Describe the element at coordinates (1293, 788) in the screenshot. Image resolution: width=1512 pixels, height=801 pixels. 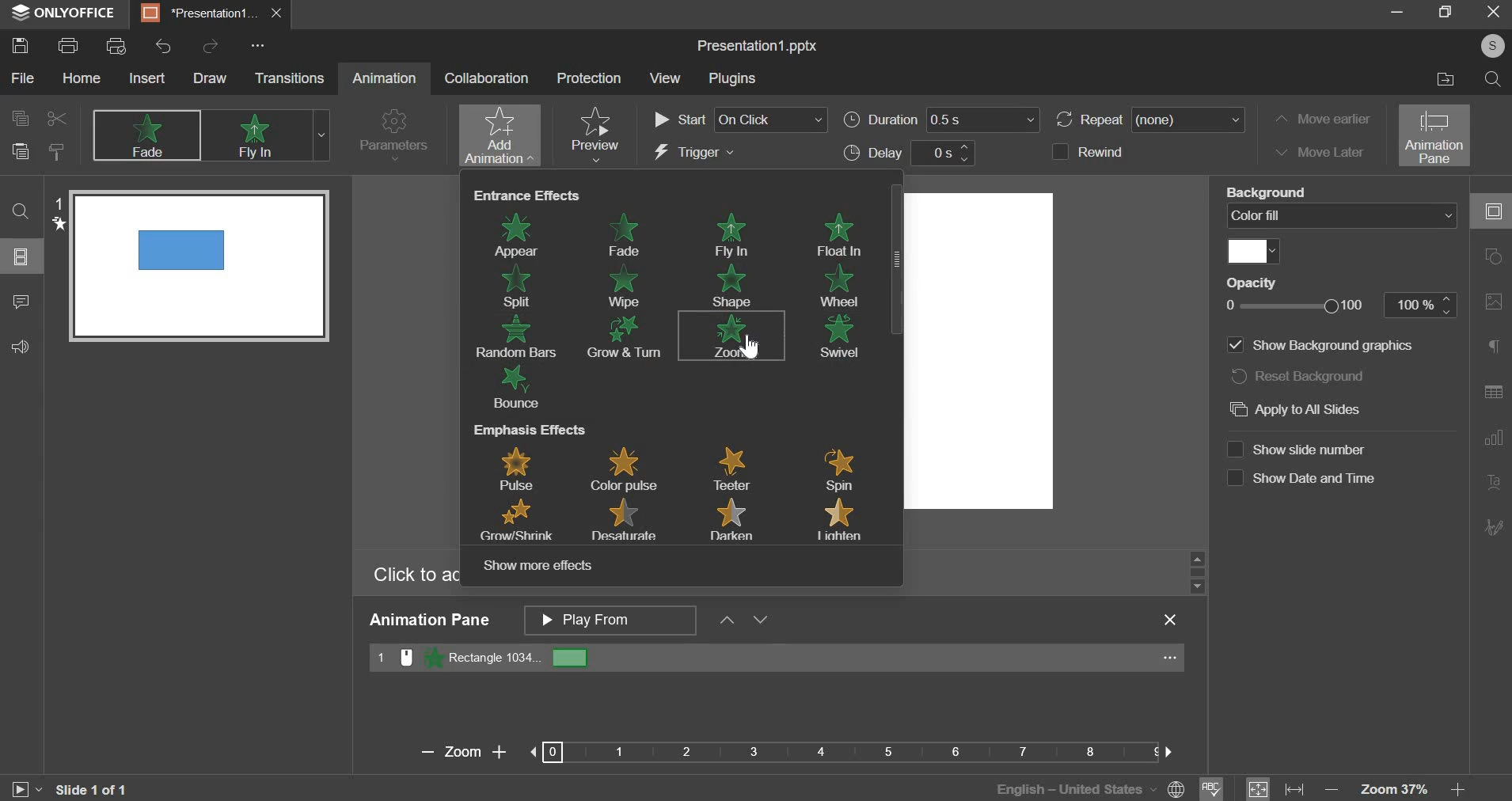
I see `fit to width` at that location.